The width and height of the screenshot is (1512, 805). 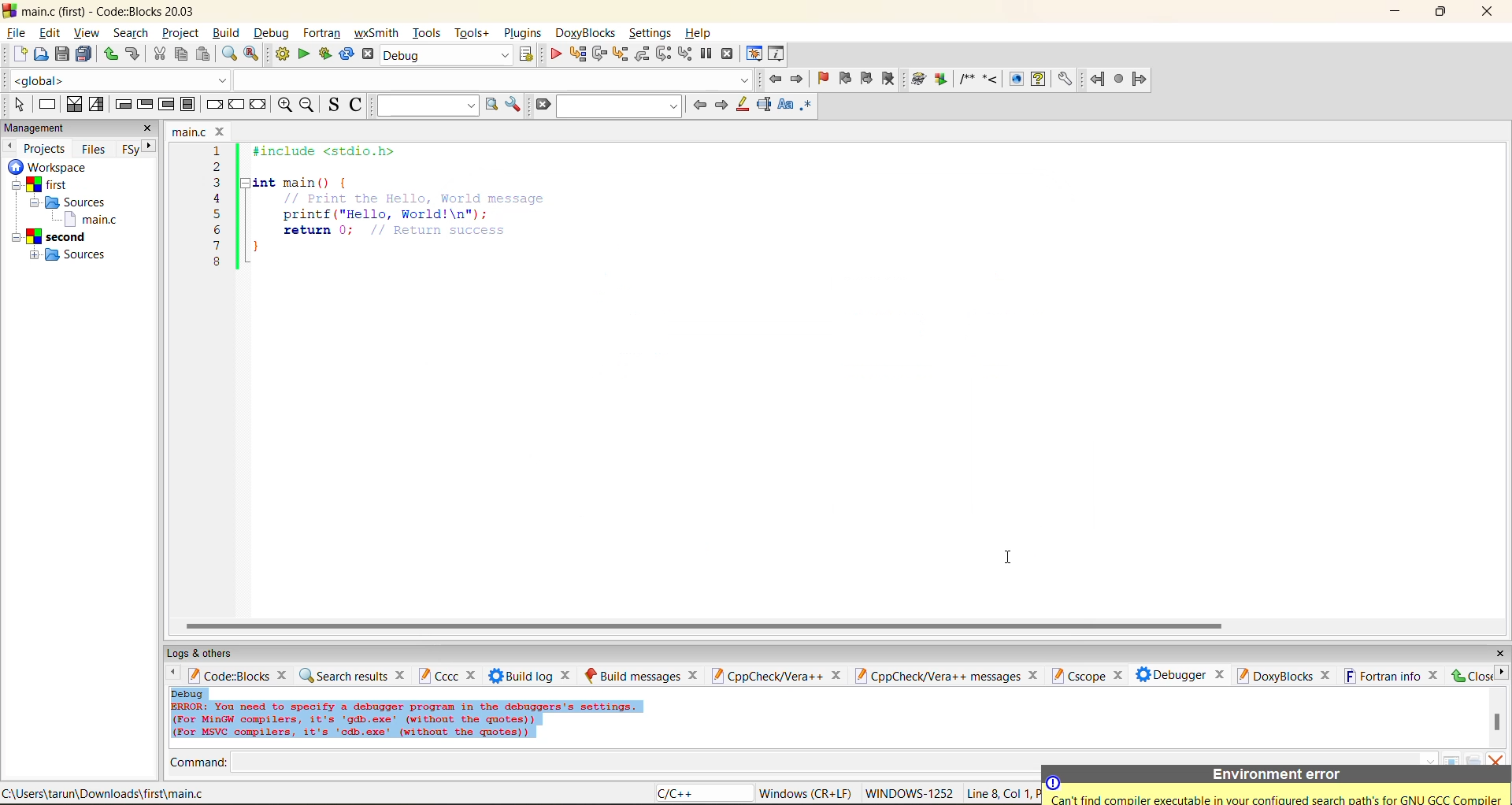 I want to click on entry condition loop, so click(x=123, y=104).